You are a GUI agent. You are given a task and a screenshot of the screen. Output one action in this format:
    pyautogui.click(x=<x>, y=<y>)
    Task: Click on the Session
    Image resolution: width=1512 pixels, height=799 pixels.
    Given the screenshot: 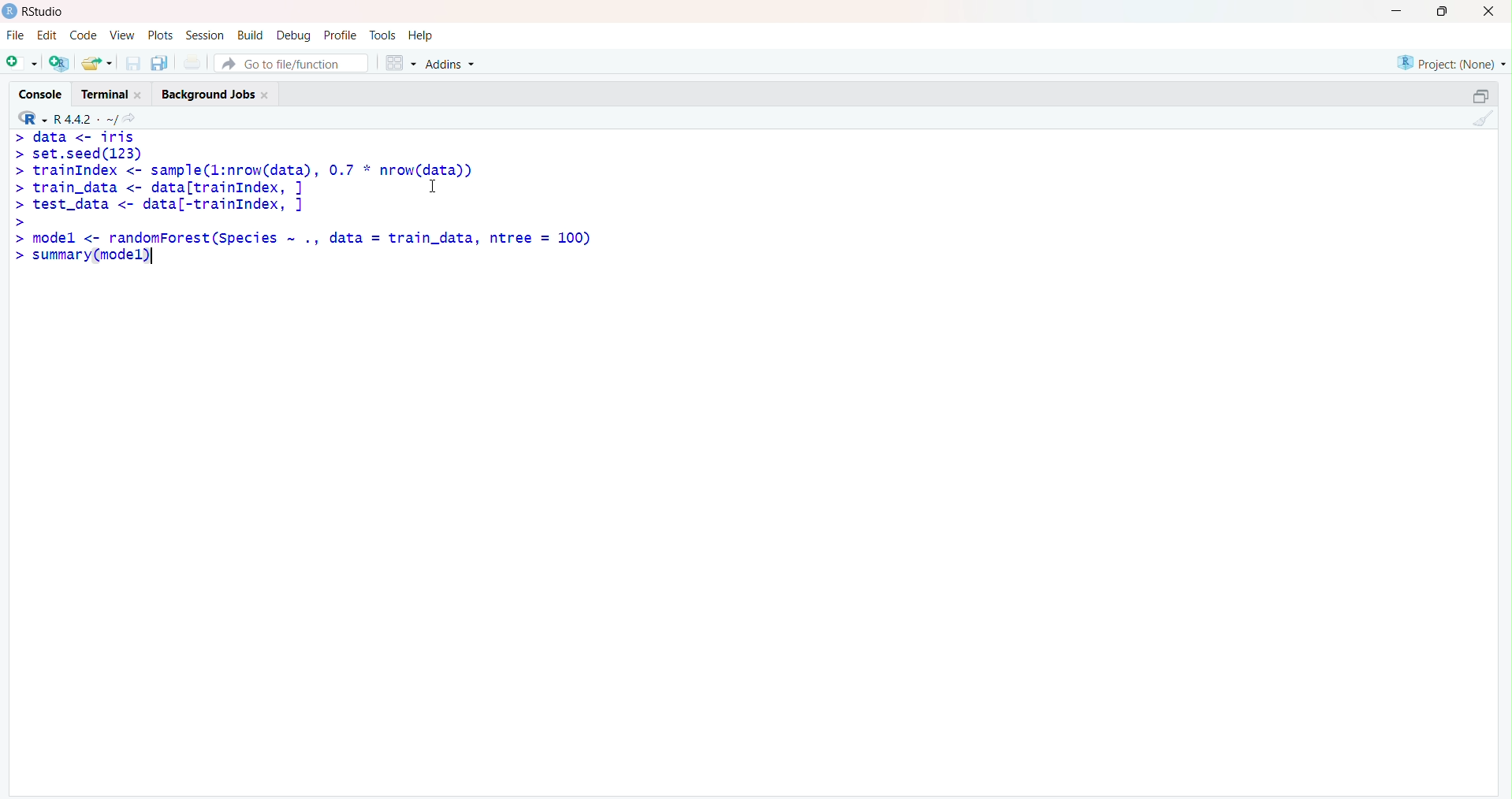 What is the action you would take?
    pyautogui.click(x=205, y=36)
    